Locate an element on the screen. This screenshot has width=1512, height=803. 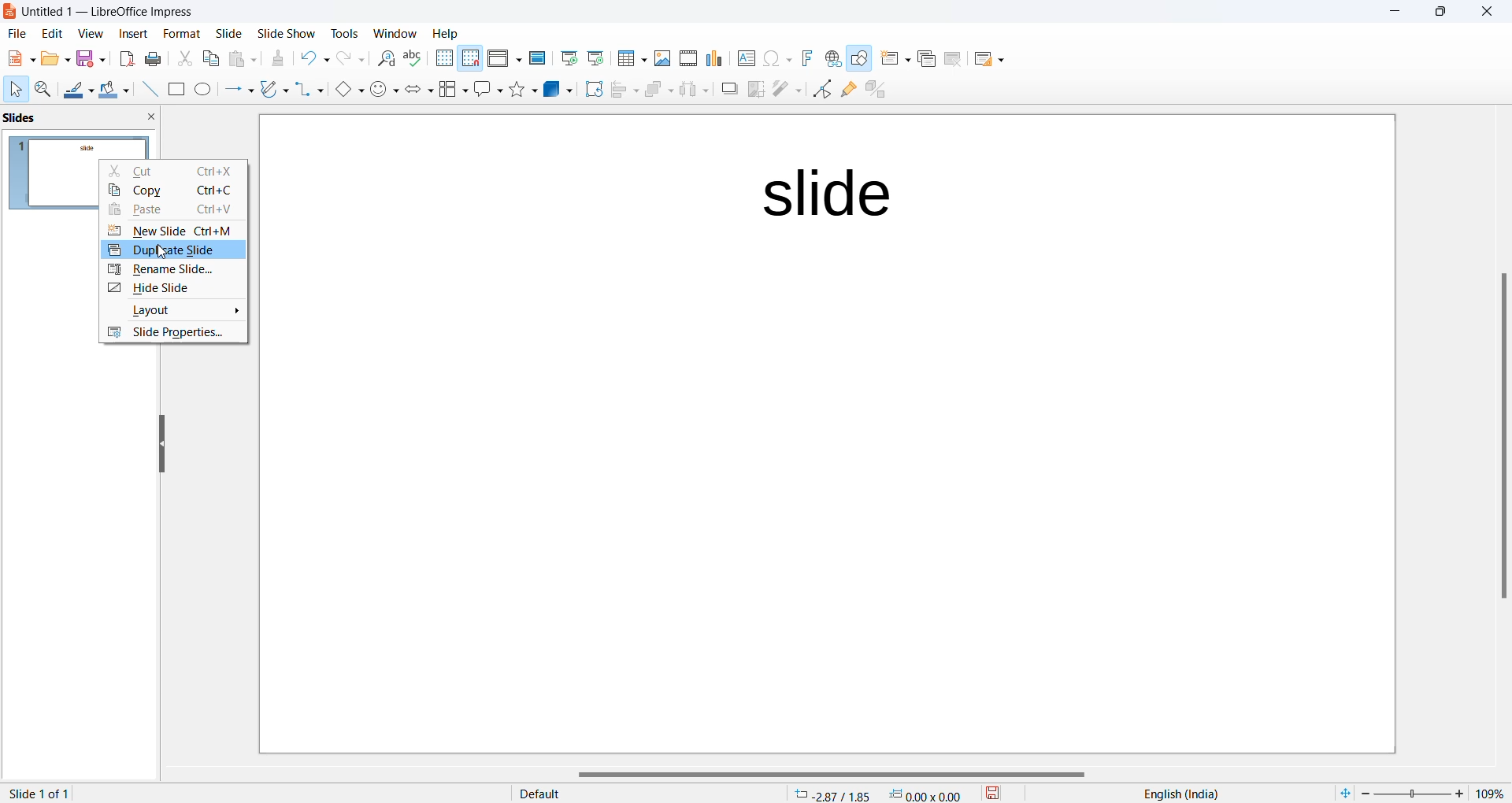
hide slide is located at coordinates (176, 288).